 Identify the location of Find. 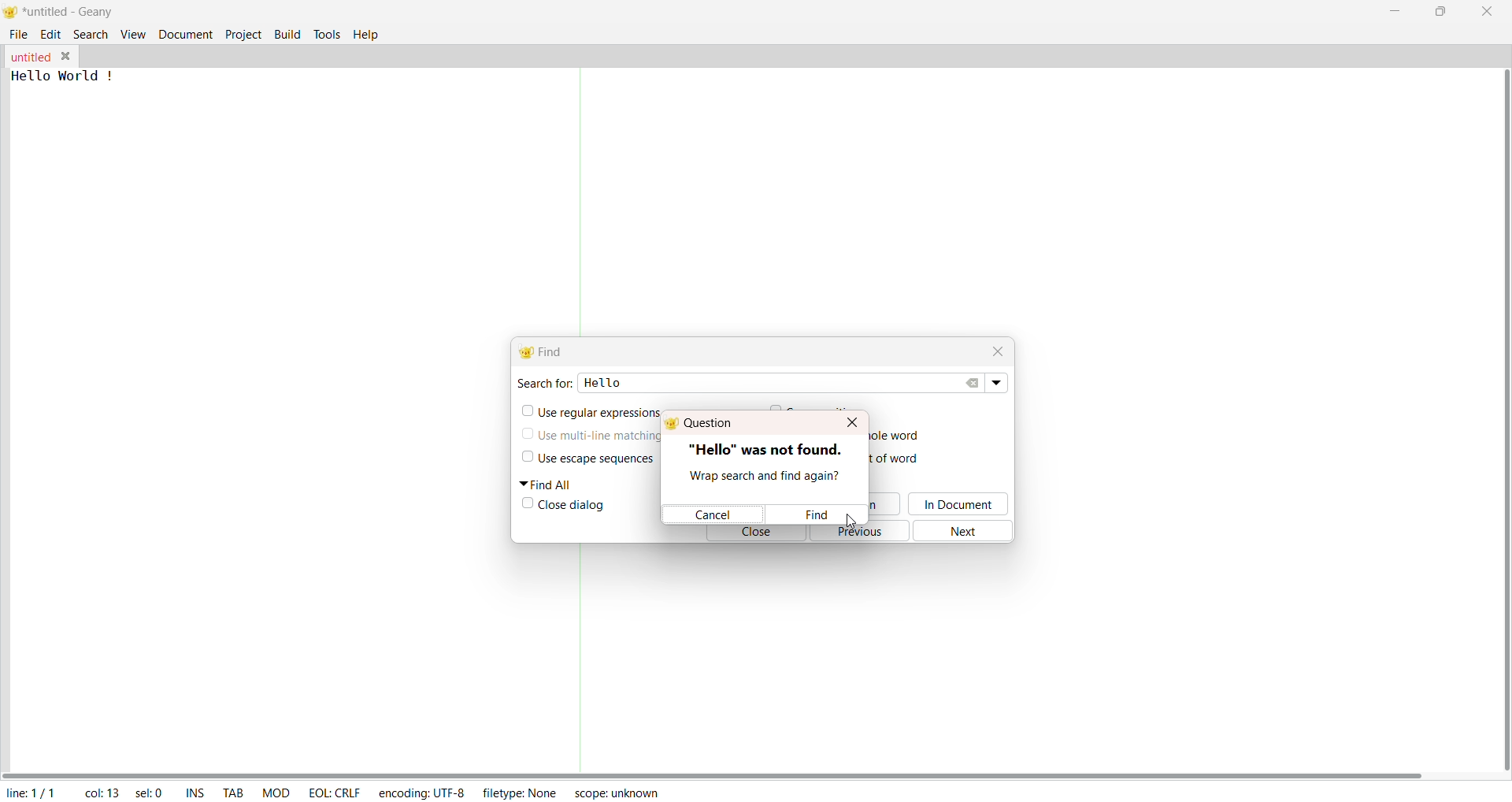
(547, 350).